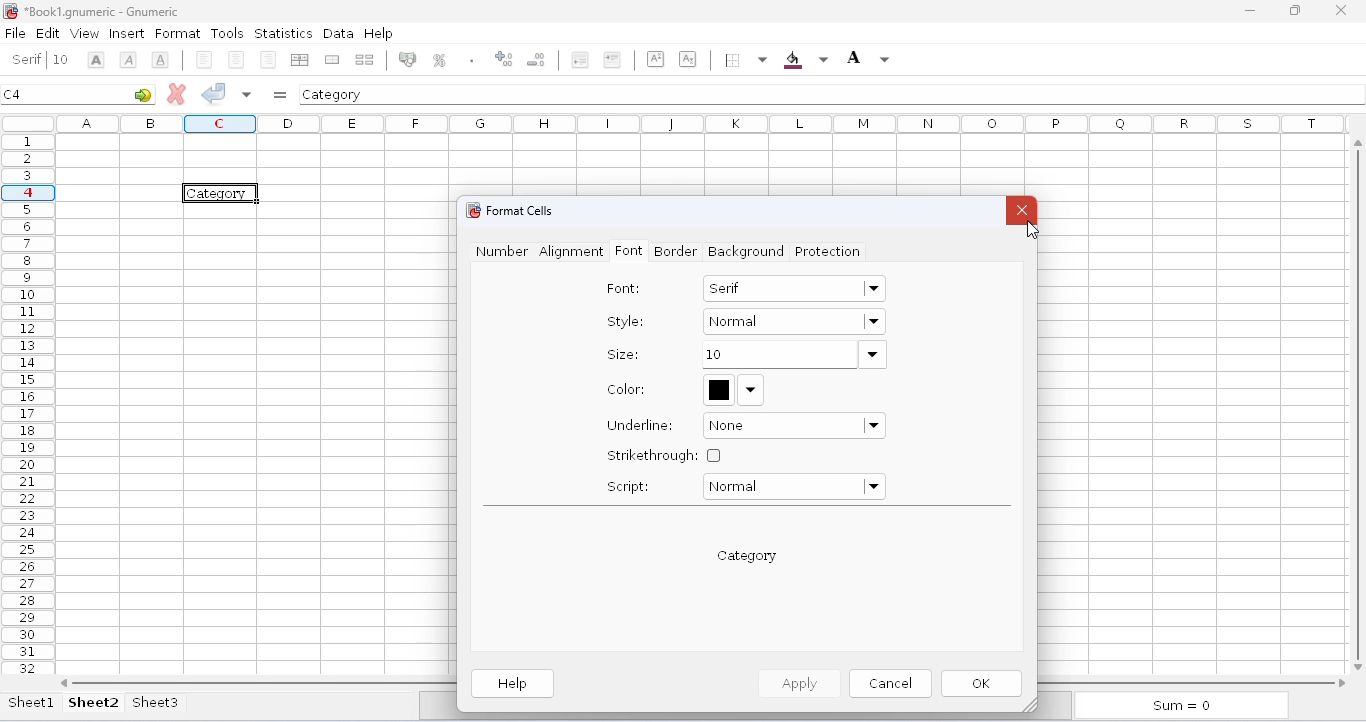  I want to click on format the selection as accounting, so click(443, 59).